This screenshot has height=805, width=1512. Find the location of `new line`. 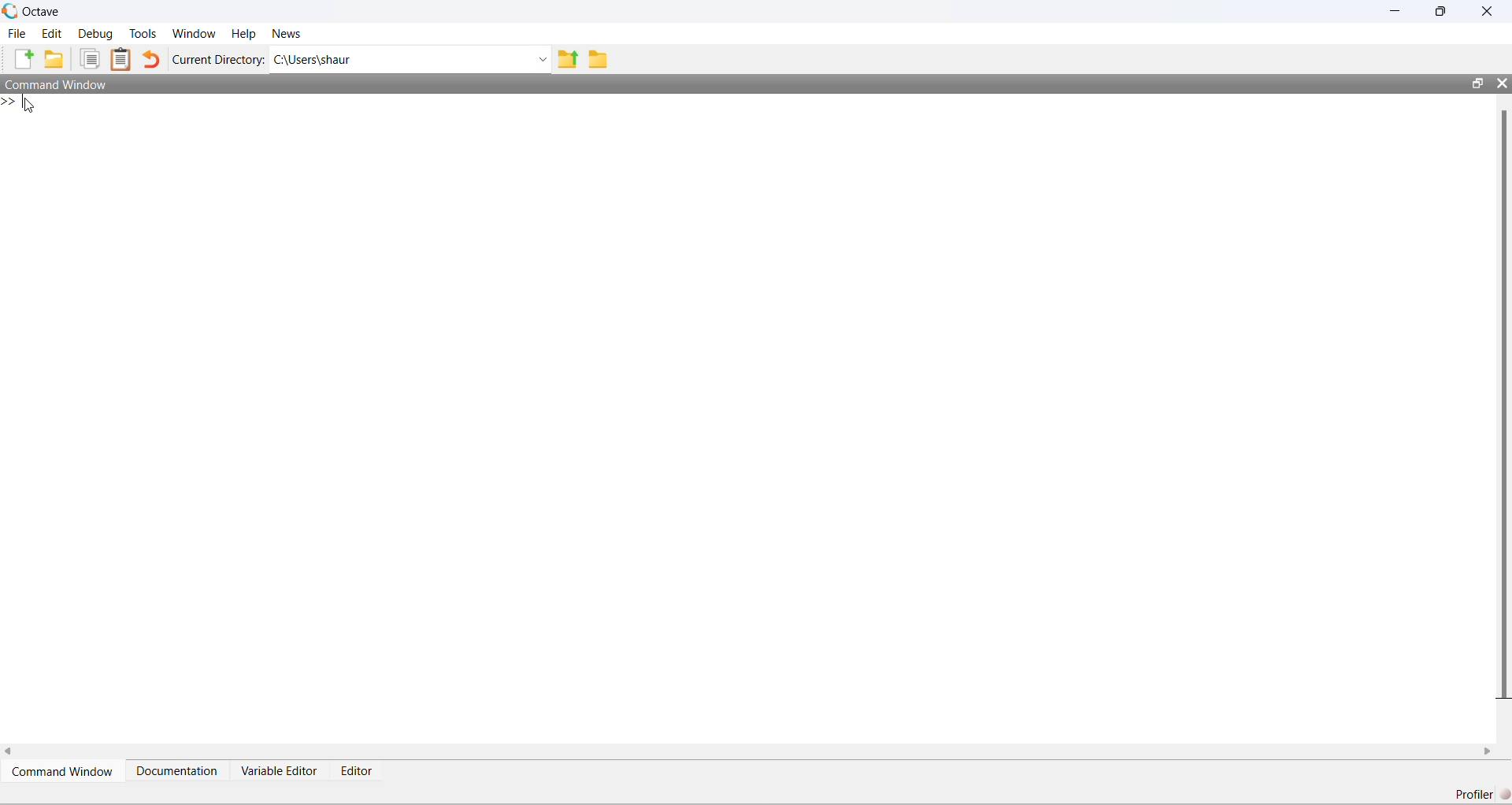

new line is located at coordinates (13, 102).